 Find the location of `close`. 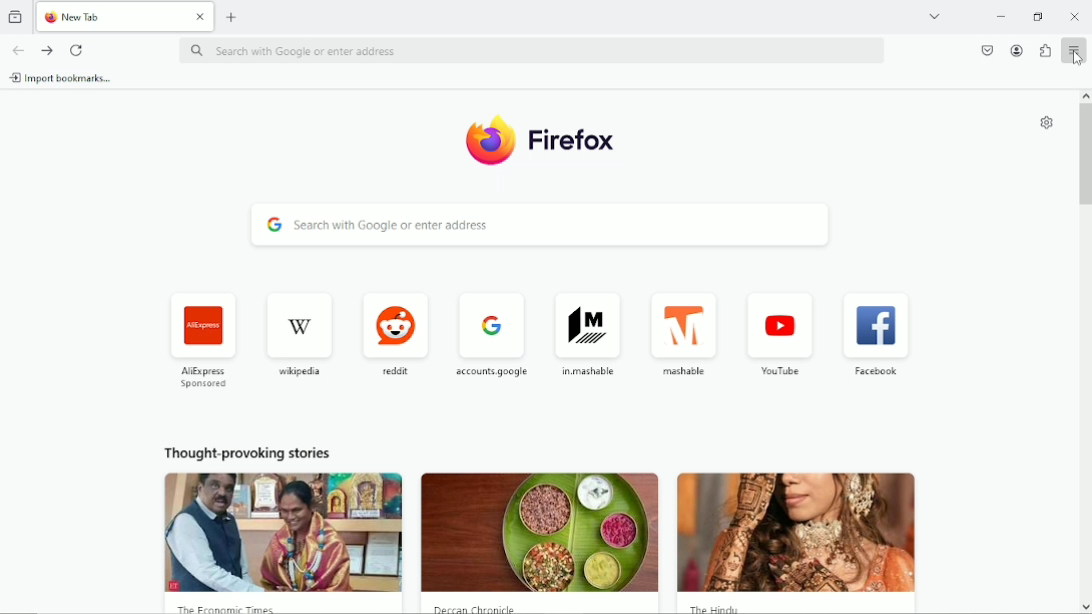

close is located at coordinates (200, 17).